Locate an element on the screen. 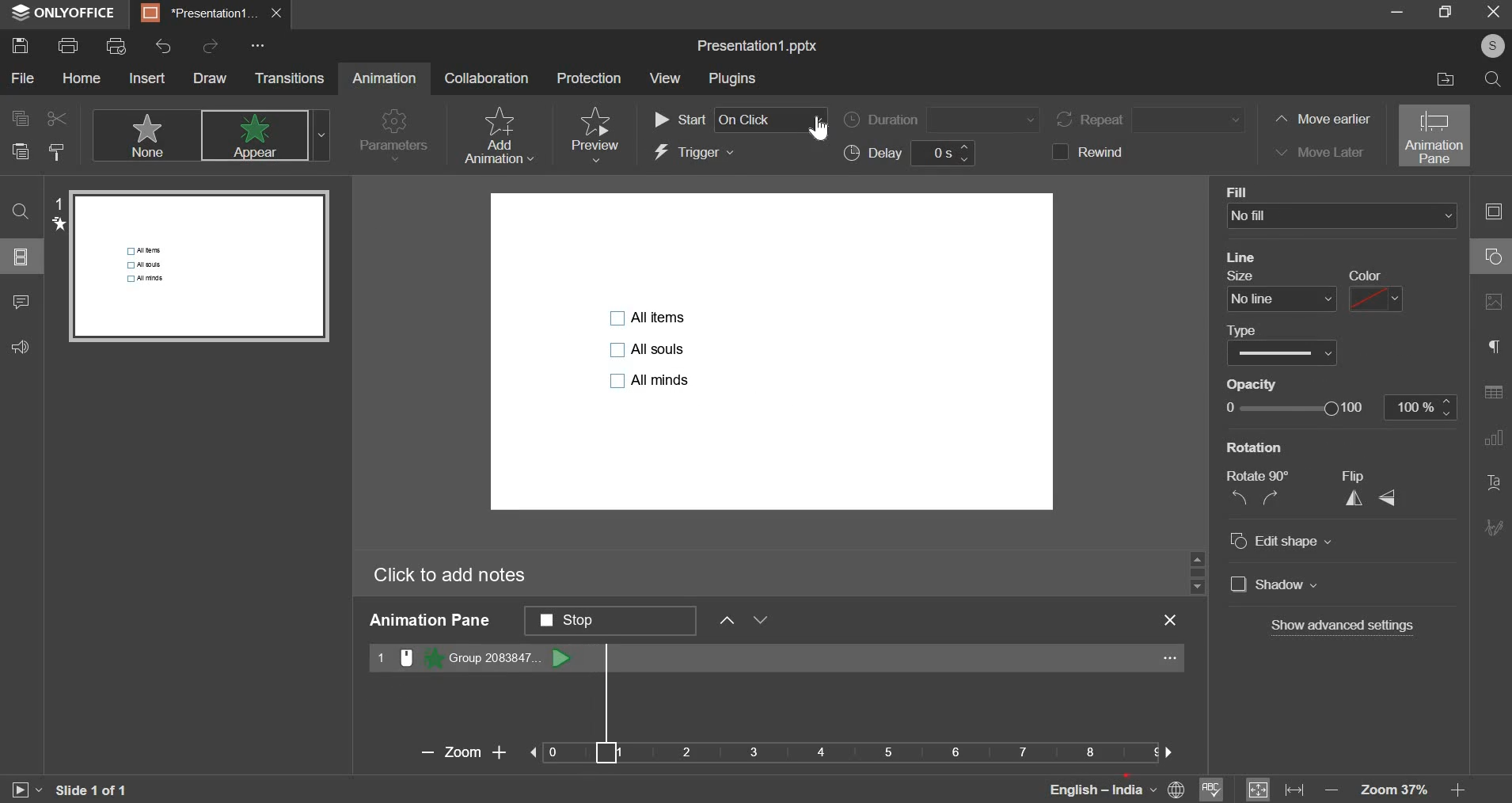 The height and width of the screenshot is (803, 1512). background fill is located at coordinates (1344, 215).